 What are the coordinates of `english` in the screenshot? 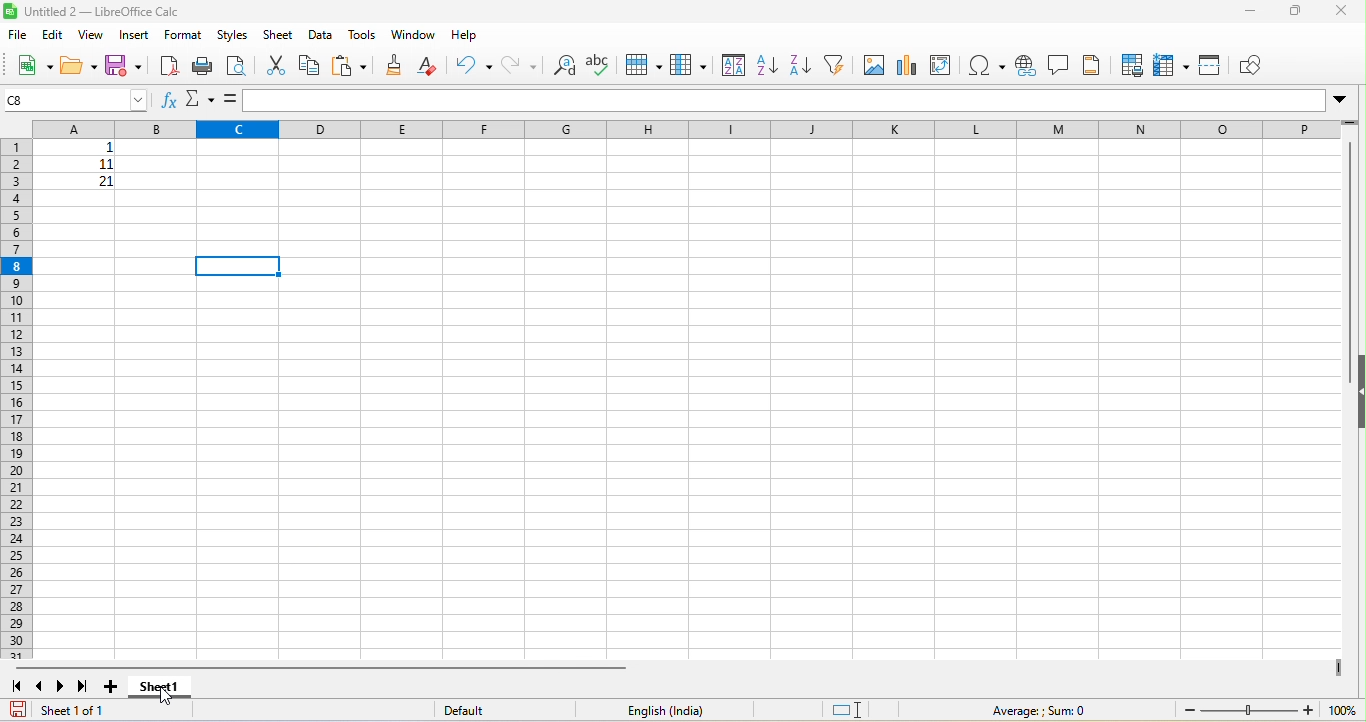 It's located at (678, 710).